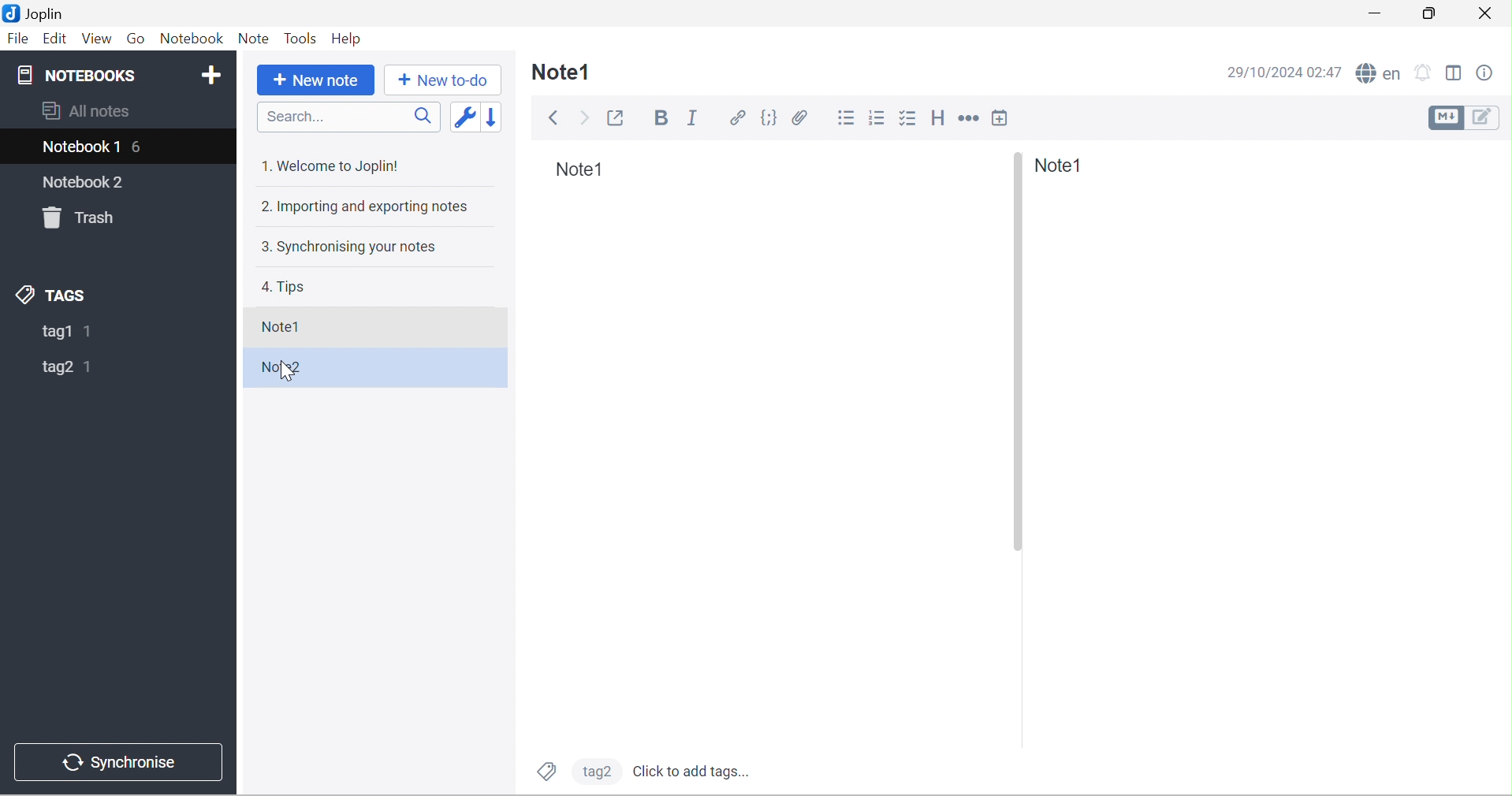 This screenshot has height=796, width=1512. Describe the element at coordinates (1489, 14) in the screenshot. I see `Close` at that location.